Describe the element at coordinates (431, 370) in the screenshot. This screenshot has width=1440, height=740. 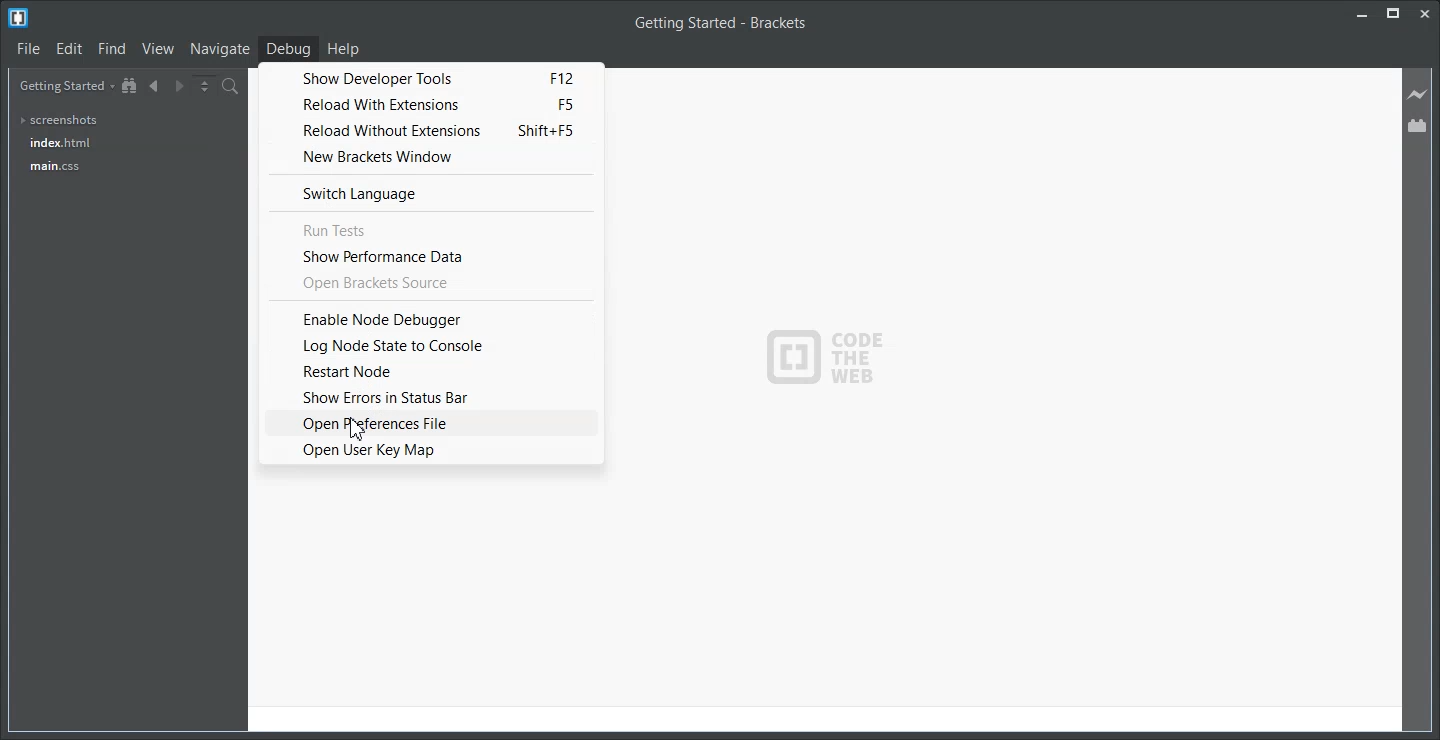
I see `Restart Node` at that location.